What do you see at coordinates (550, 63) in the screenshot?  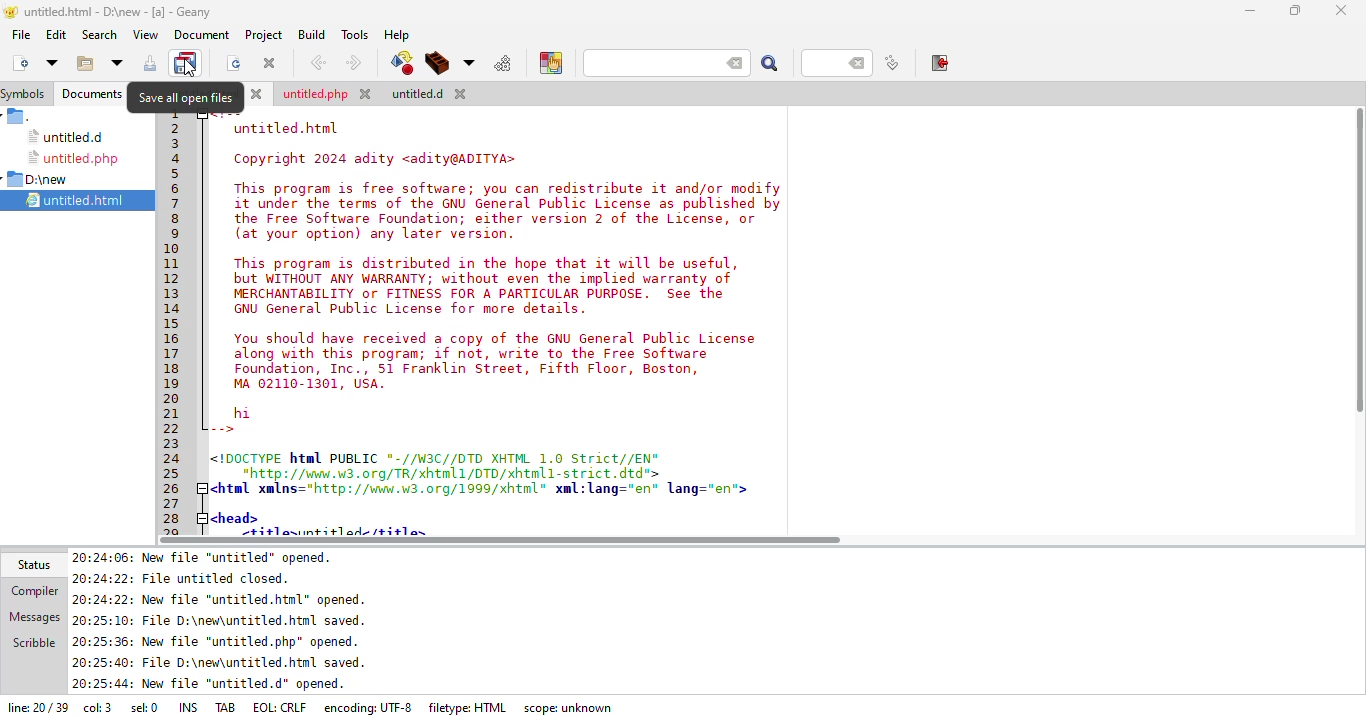 I see `choose color` at bounding box center [550, 63].